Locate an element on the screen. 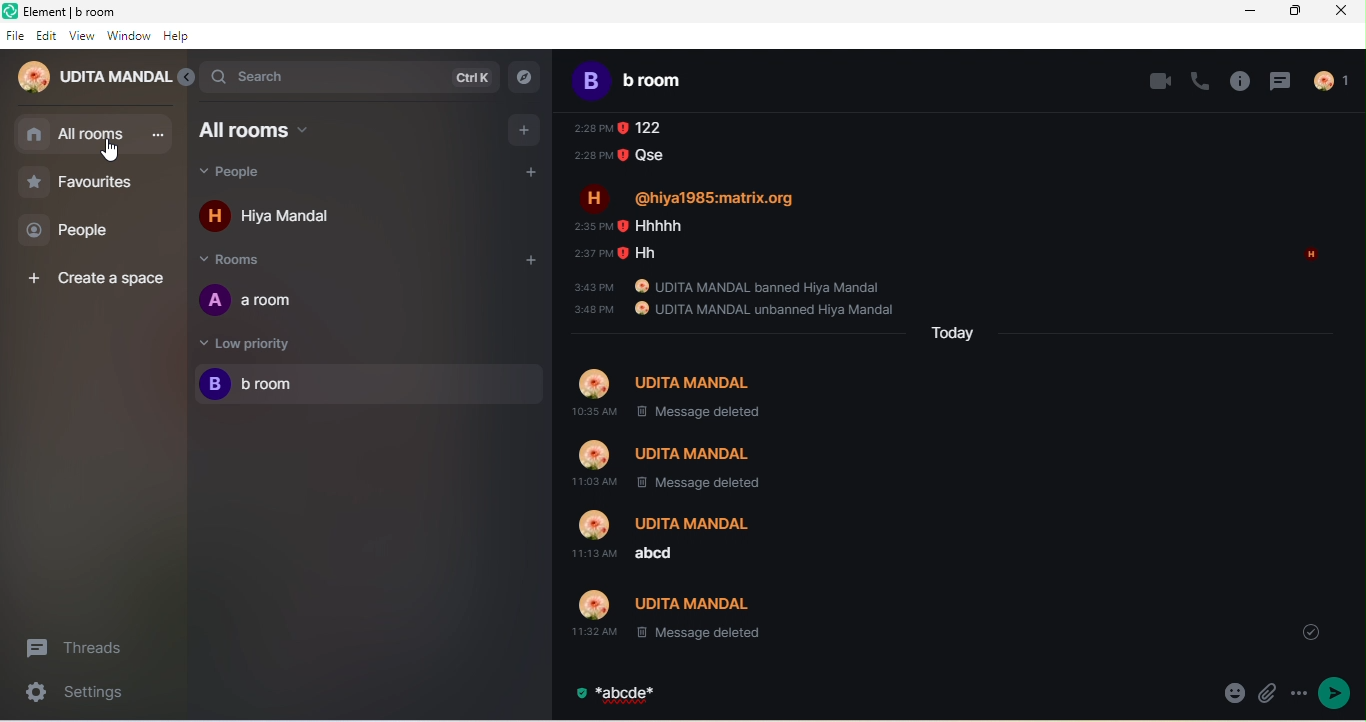  options is located at coordinates (1297, 694).